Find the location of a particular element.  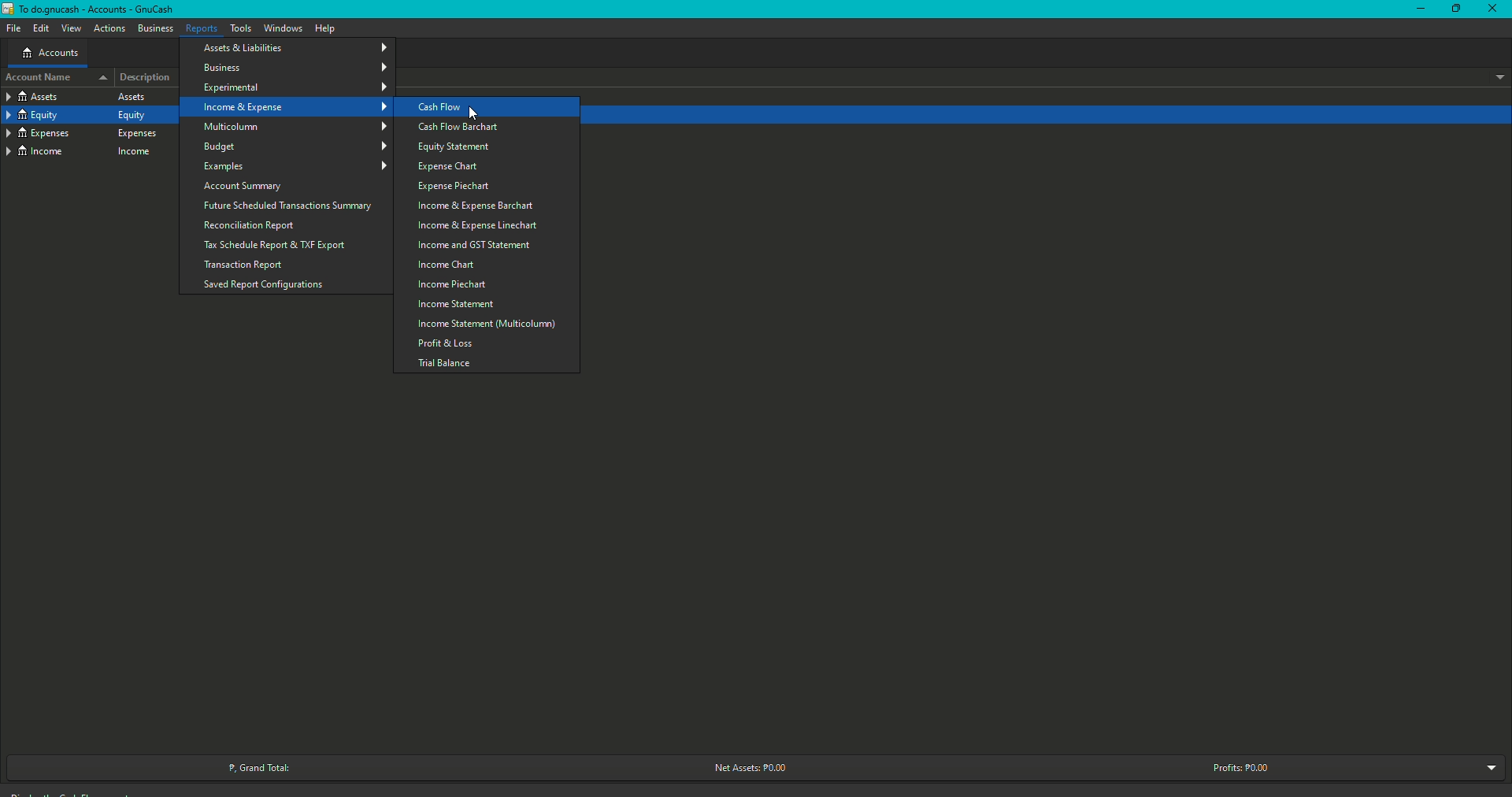

Income and GST Statement is located at coordinates (476, 245).